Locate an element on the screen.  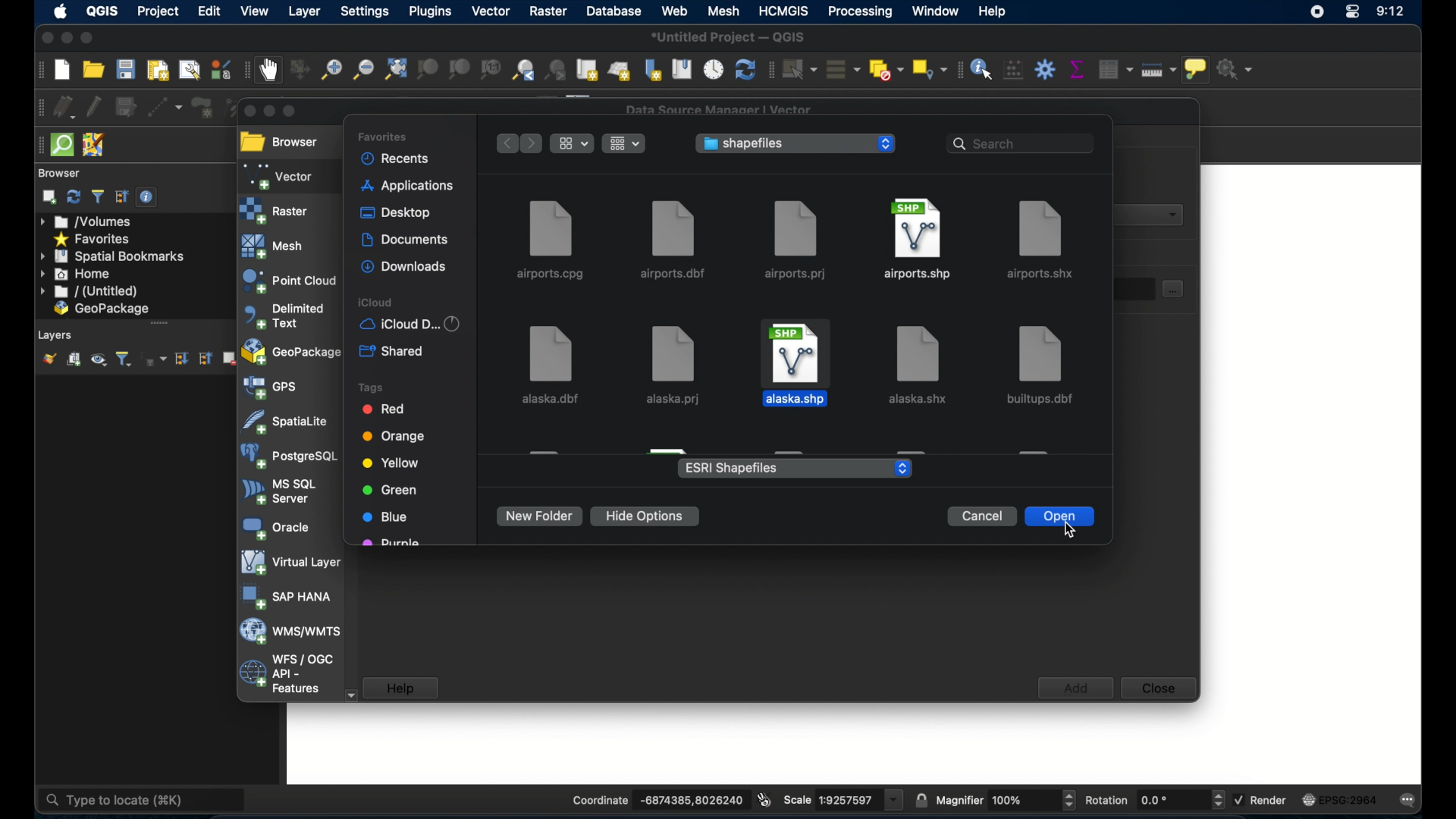
zoom next is located at coordinates (558, 69).